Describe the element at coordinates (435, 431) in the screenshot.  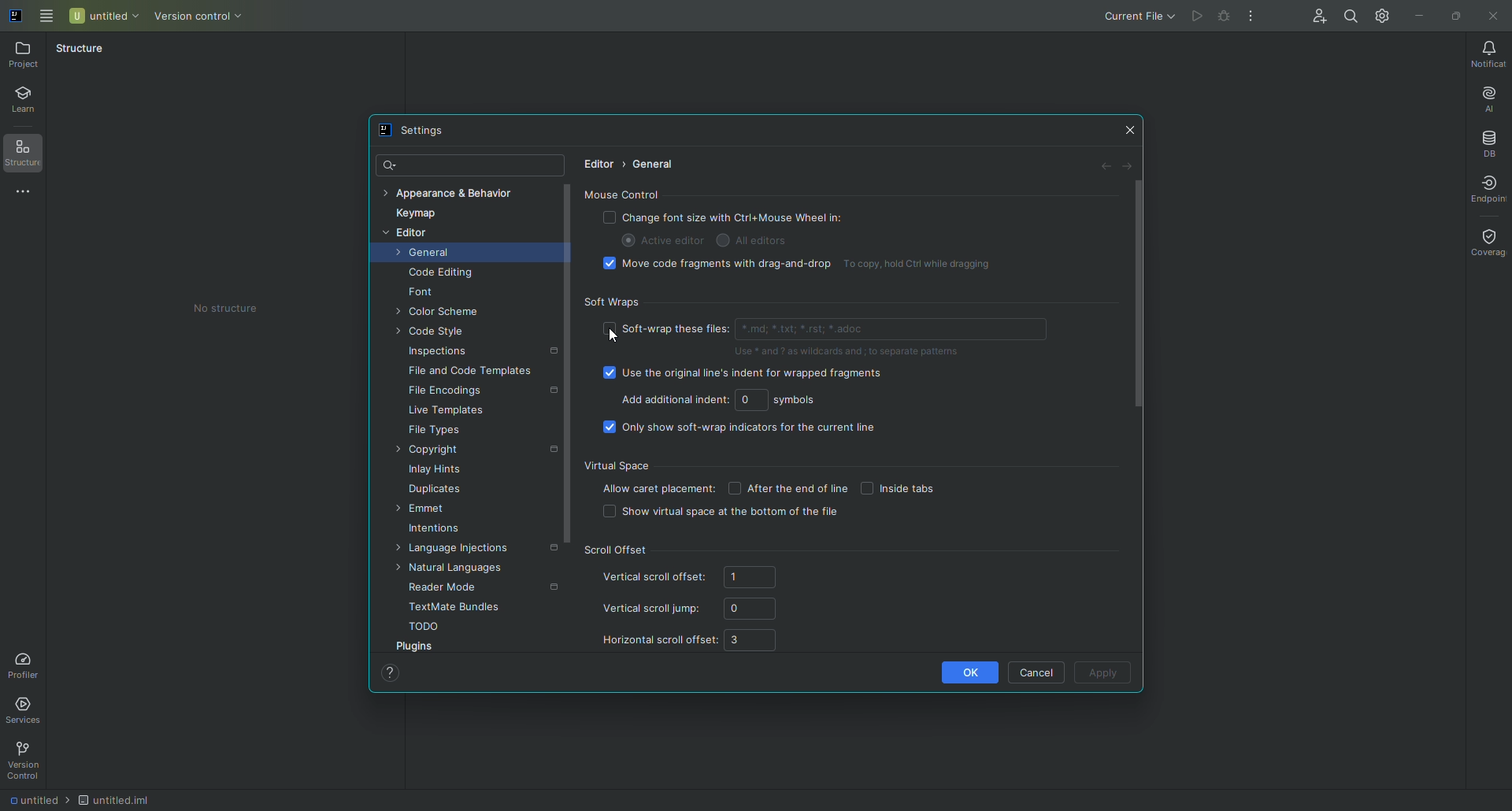
I see `File Types` at that location.